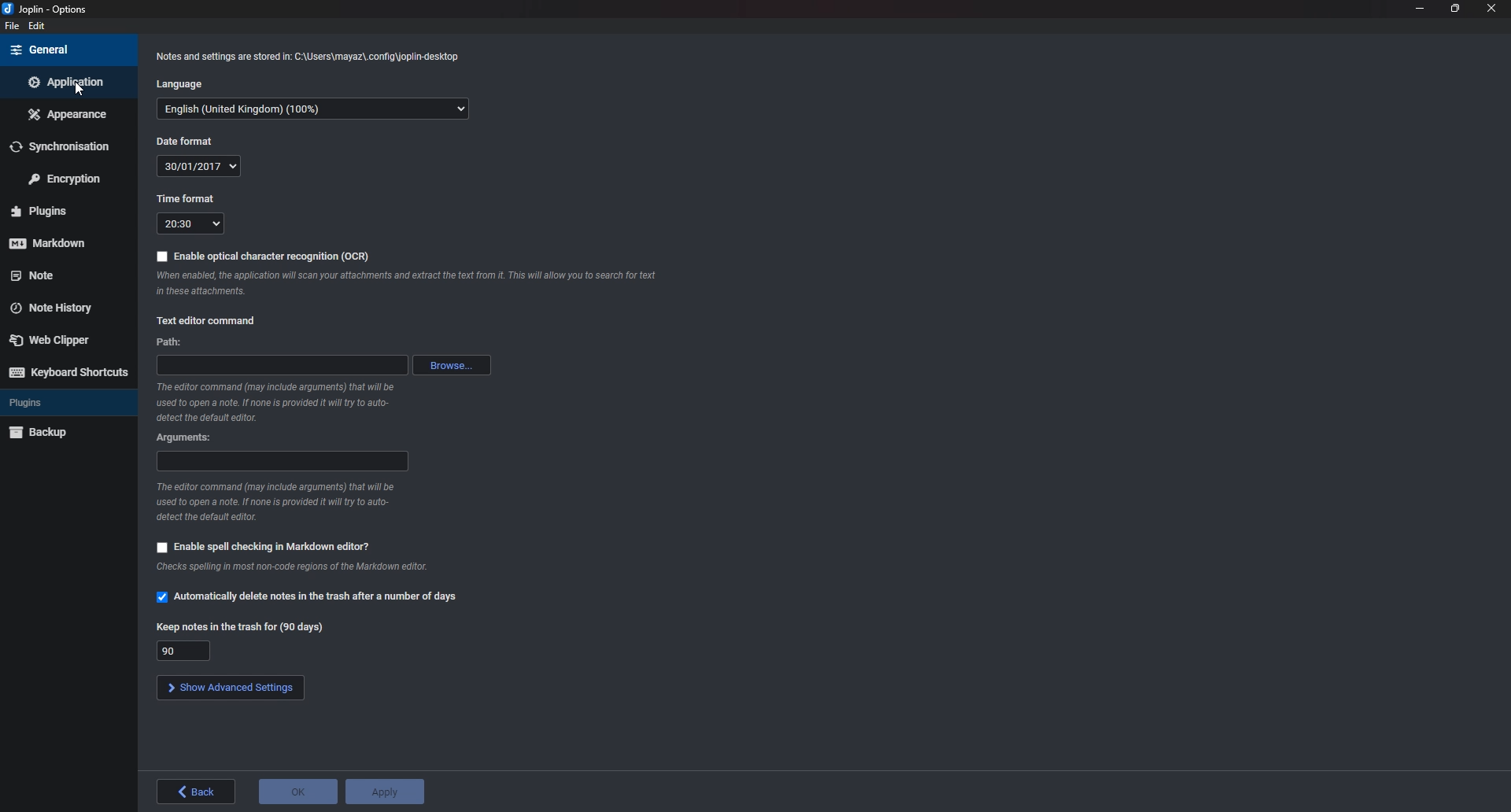 The image size is (1511, 812). What do you see at coordinates (70, 372) in the screenshot?
I see `Keyboard shortcuts` at bounding box center [70, 372].